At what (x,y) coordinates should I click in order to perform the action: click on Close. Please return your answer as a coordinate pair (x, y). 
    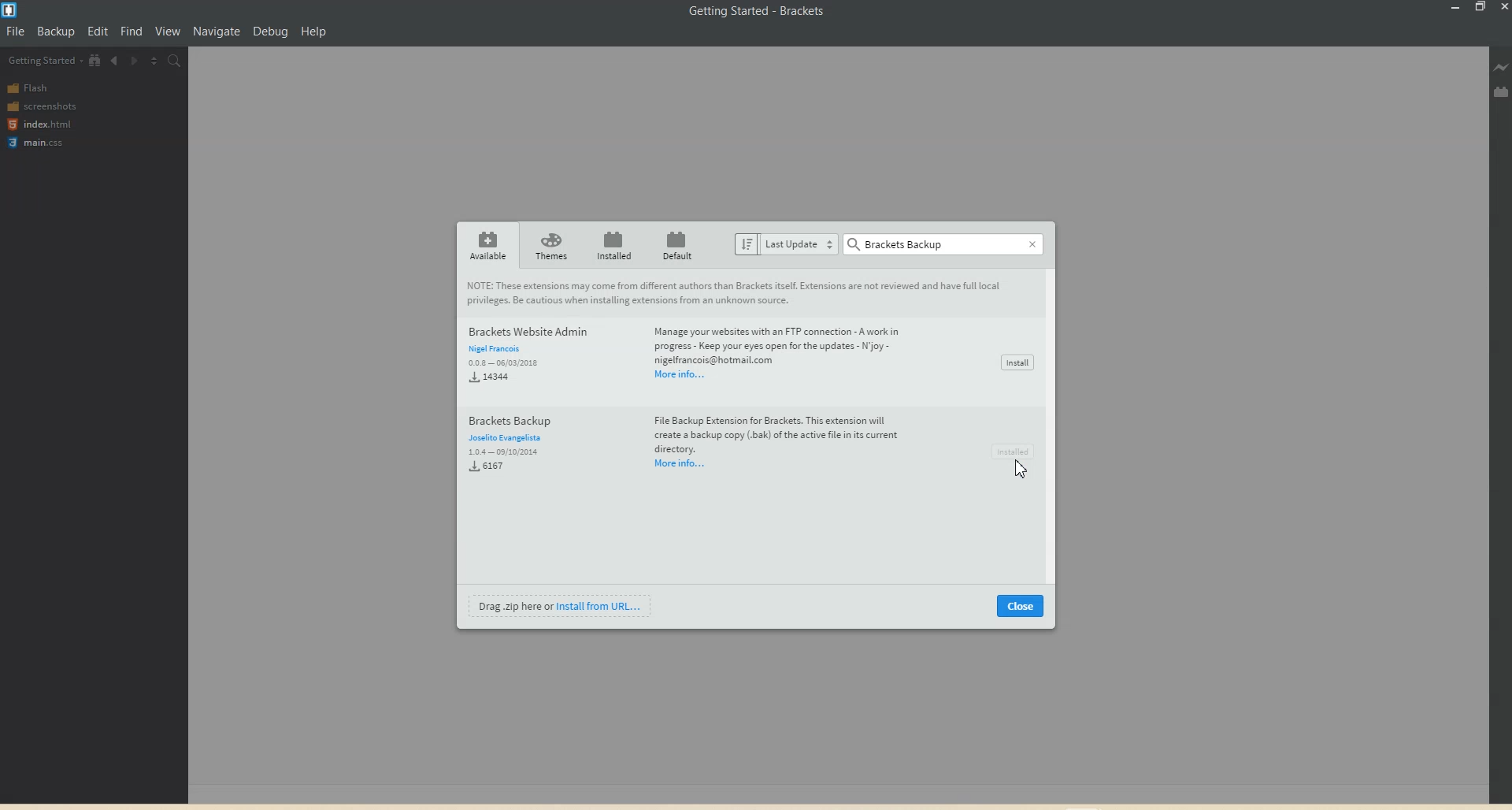
    Looking at the image, I should click on (1035, 243).